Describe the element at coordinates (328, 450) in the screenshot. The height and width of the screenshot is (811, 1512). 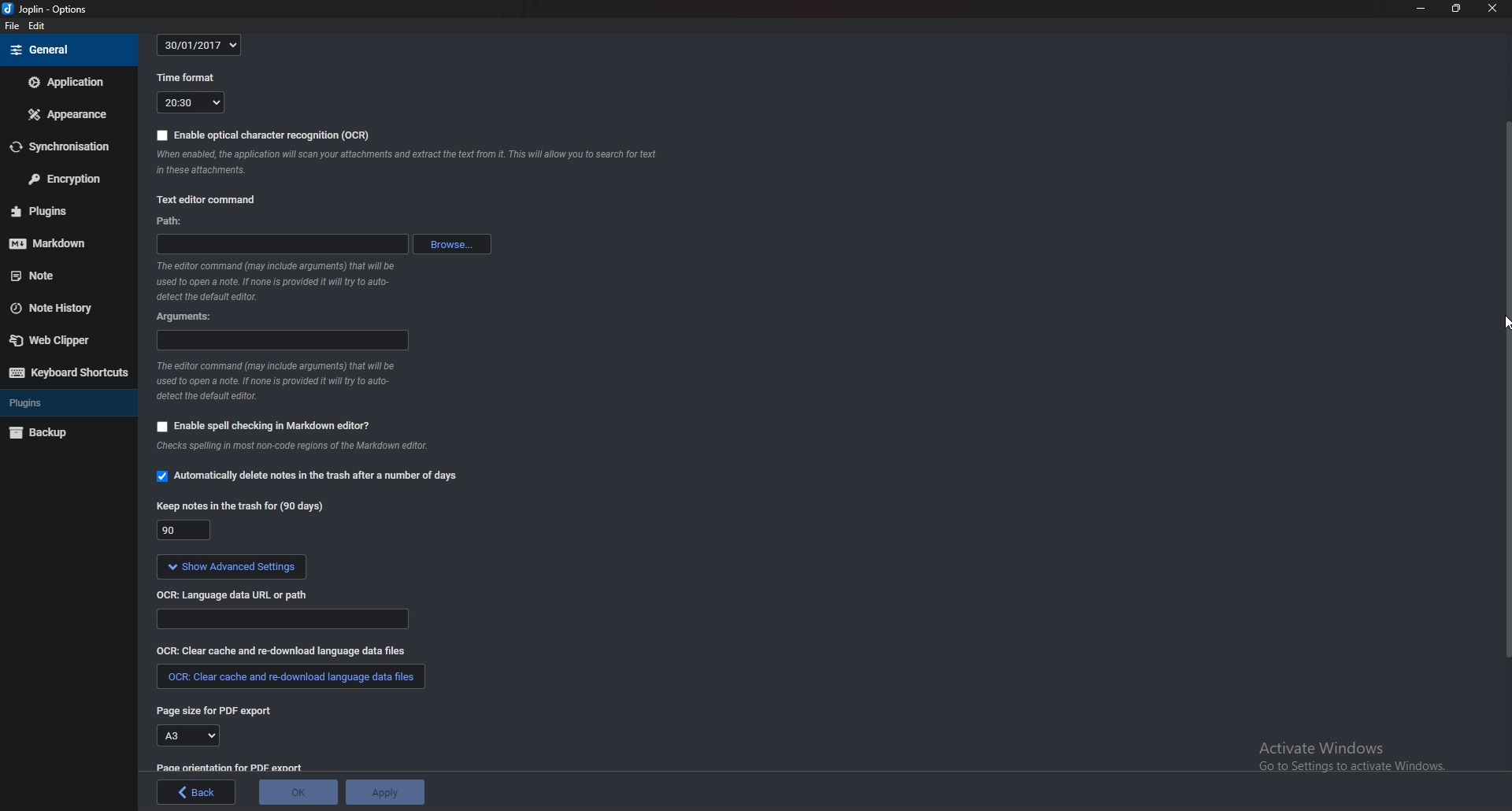
I see `info` at that location.